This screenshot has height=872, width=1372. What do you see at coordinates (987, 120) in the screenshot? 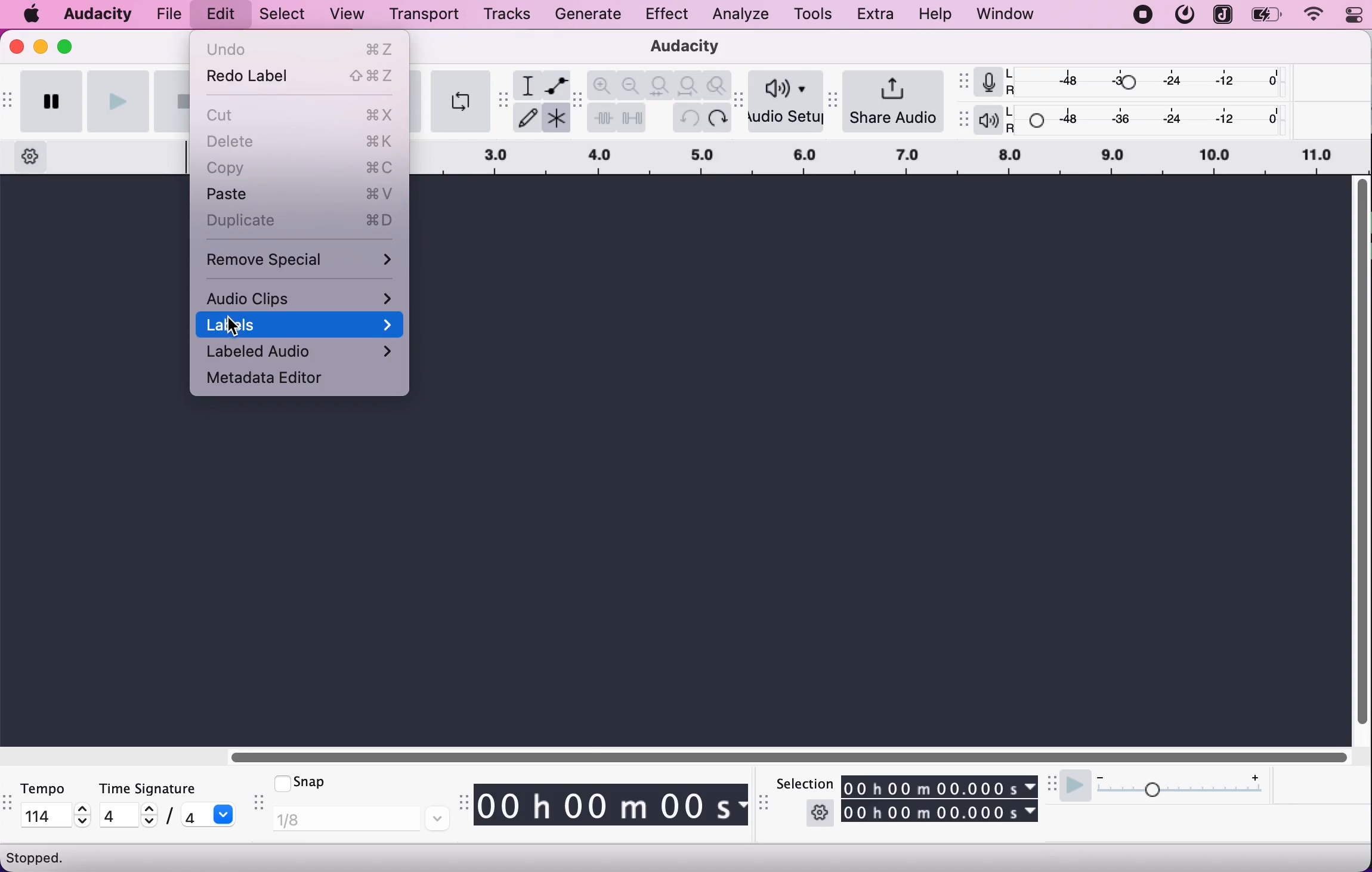
I see `playback meter` at bounding box center [987, 120].